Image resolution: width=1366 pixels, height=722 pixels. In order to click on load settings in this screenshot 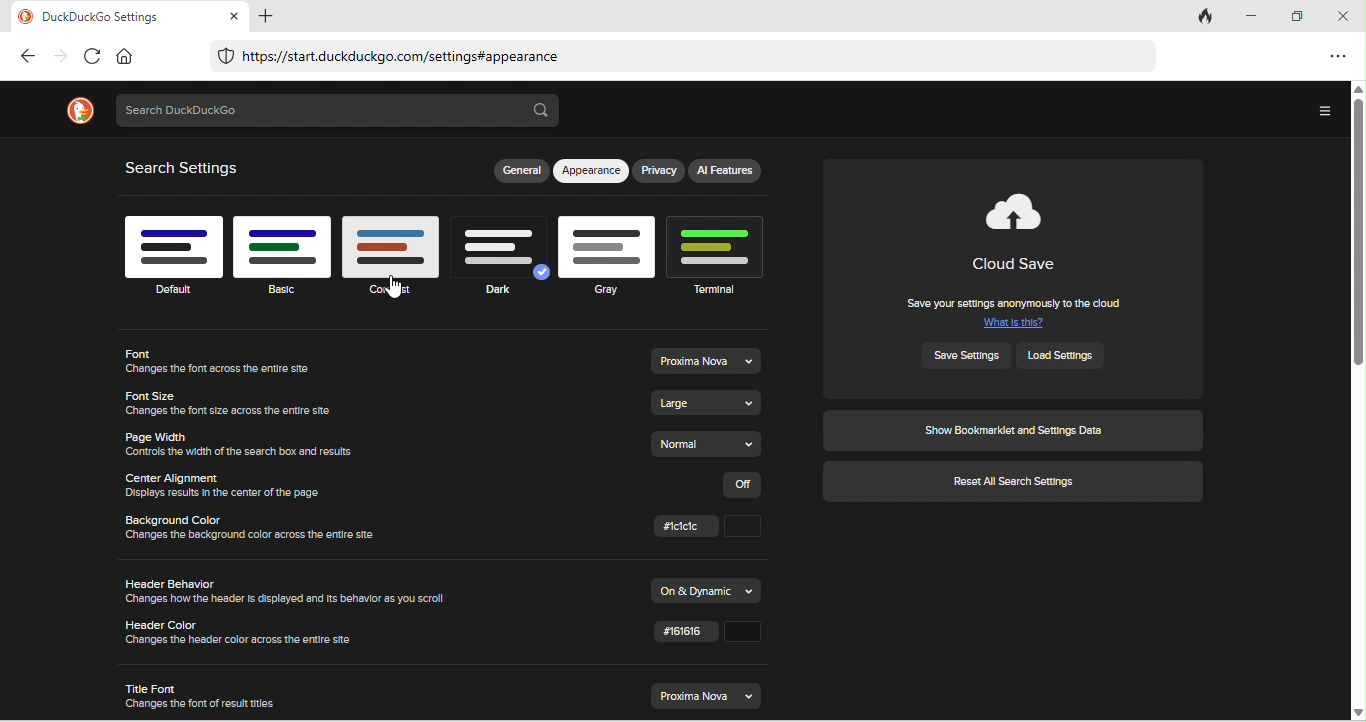, I will do `click(1069, 355)`.